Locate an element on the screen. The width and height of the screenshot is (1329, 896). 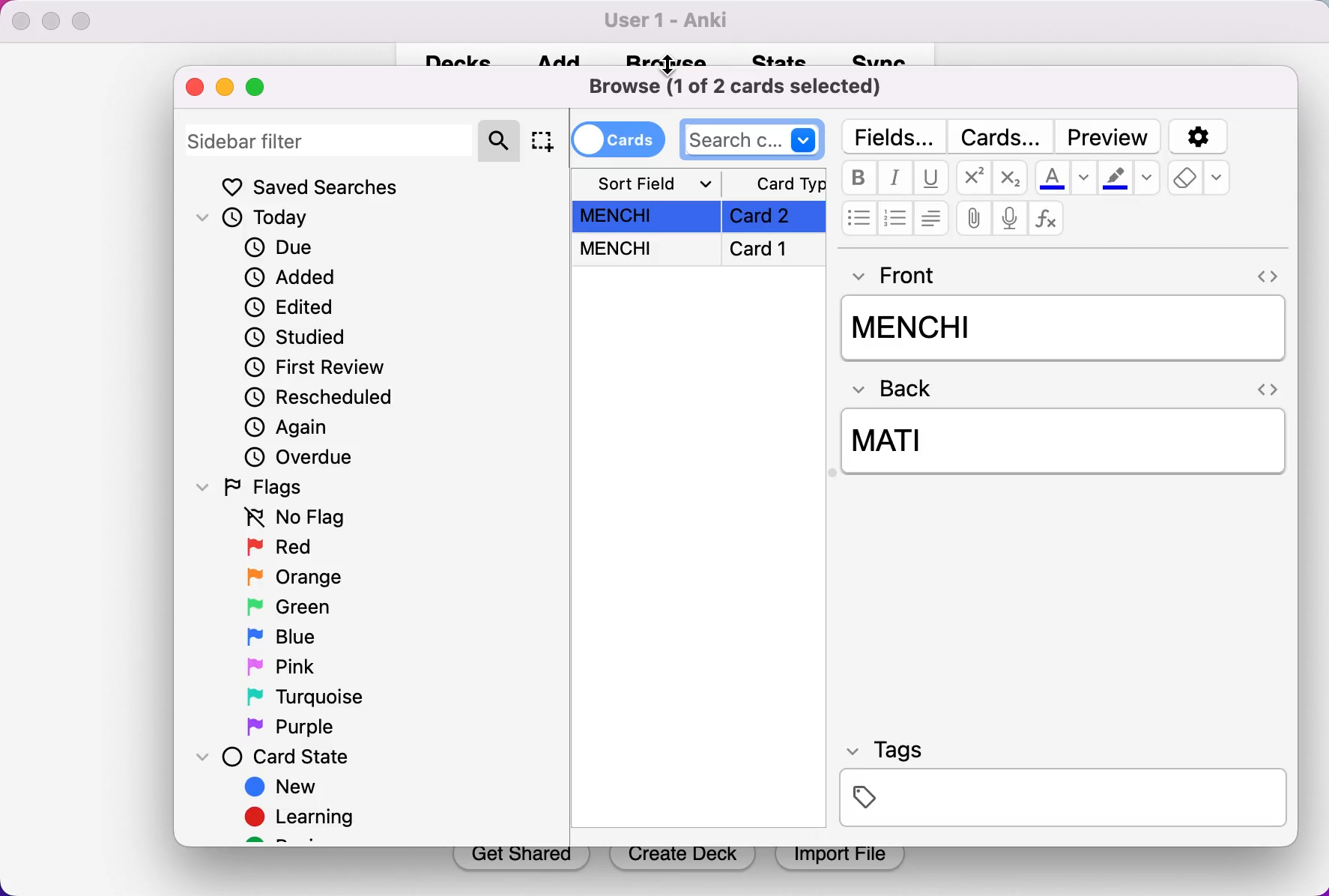
saved searches is located at coordinates (315, 187).